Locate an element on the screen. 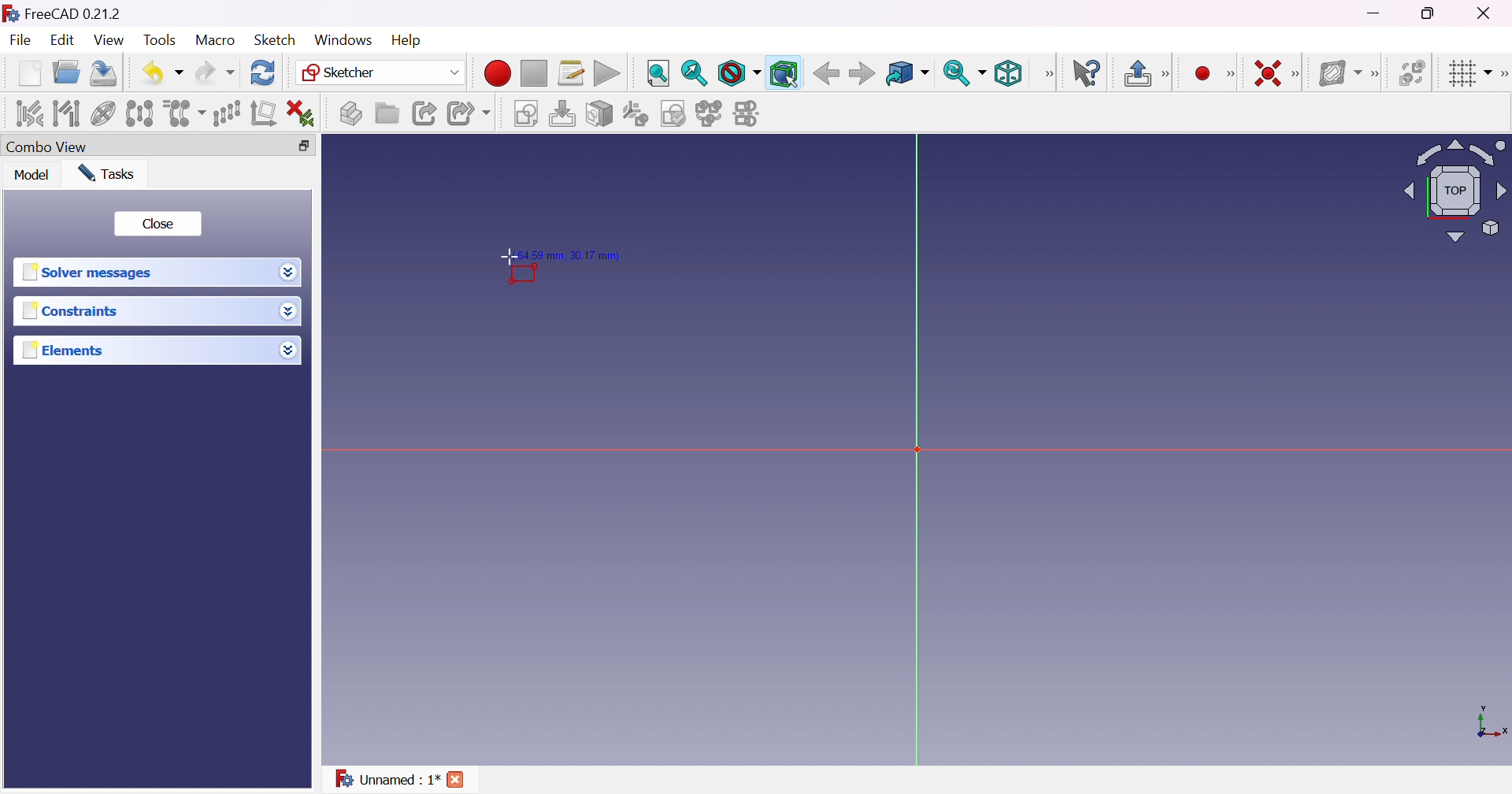  Rectangular array is located at coordinates (226, 114).